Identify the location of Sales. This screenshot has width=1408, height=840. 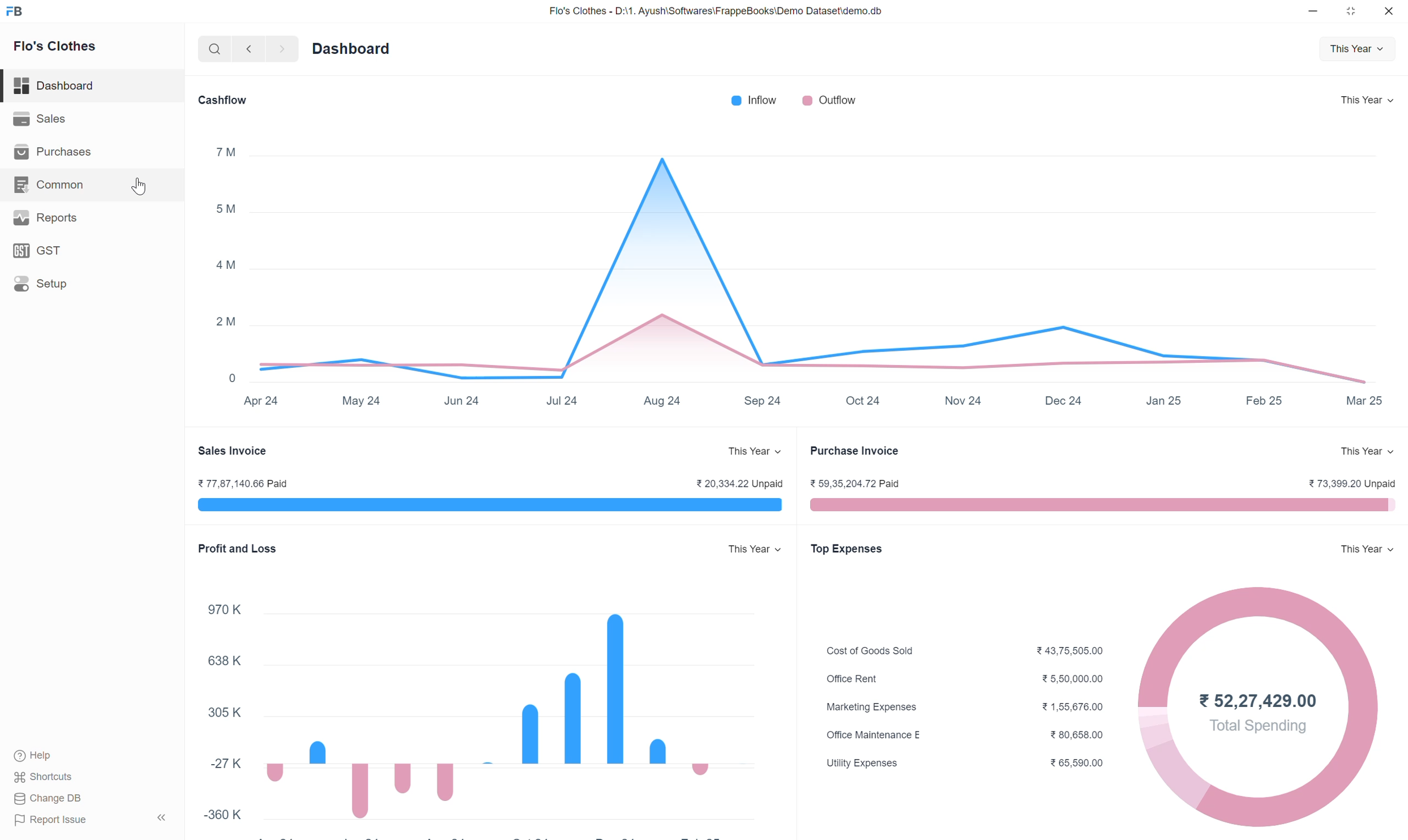
(49, 119).